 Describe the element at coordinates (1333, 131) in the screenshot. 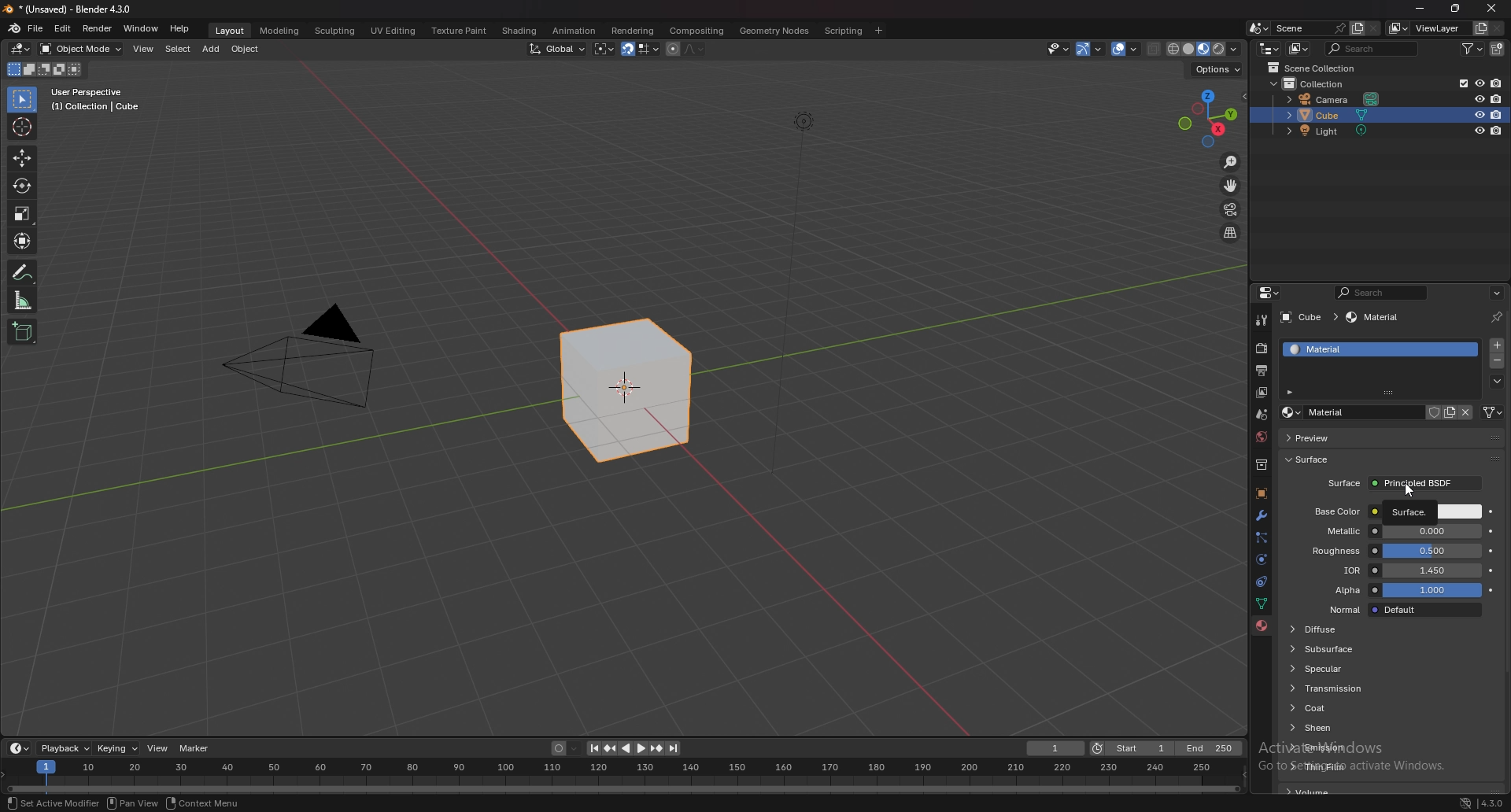

I see `light` at that location.